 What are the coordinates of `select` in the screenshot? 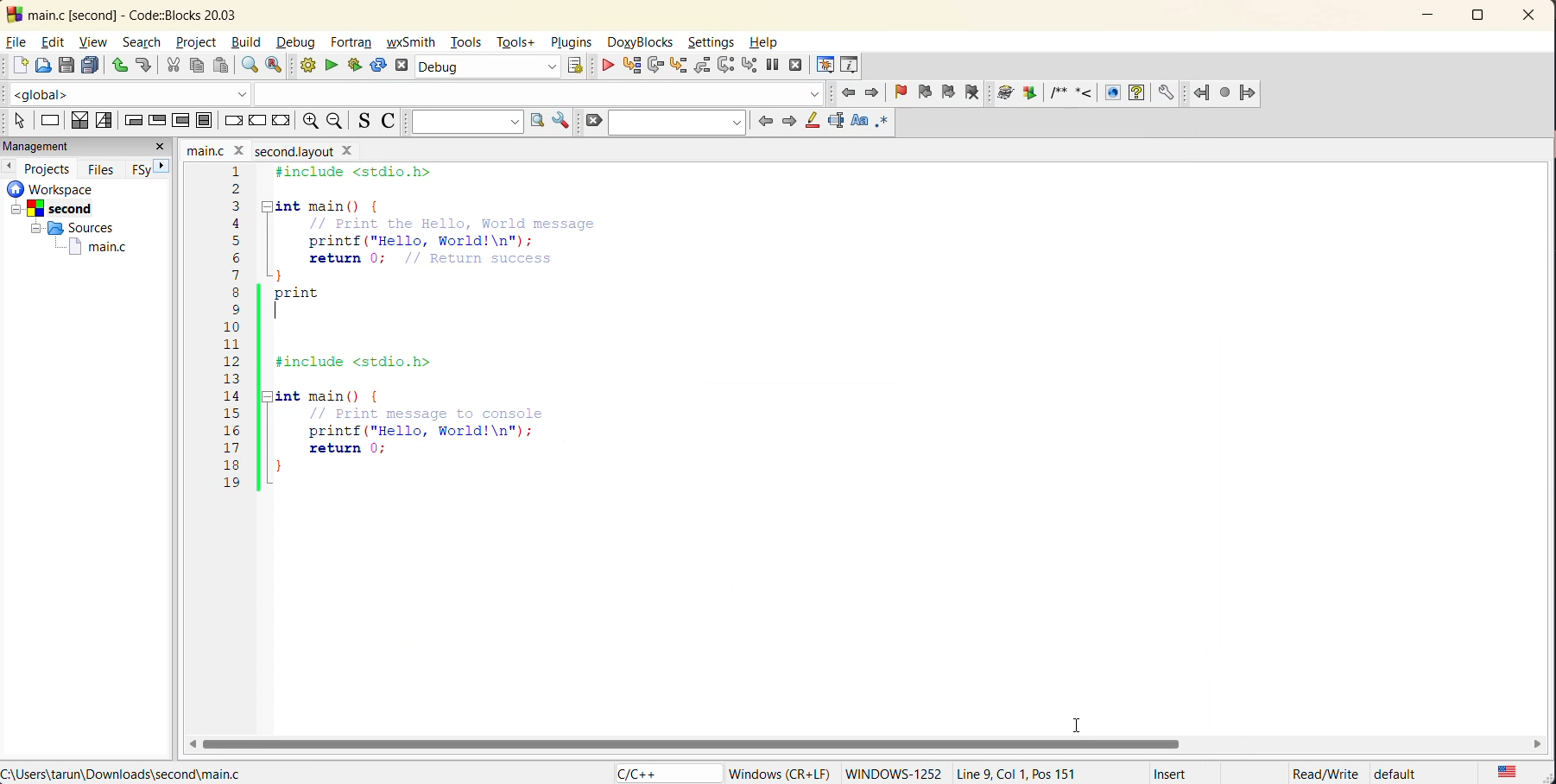 It's located at (16, 122).